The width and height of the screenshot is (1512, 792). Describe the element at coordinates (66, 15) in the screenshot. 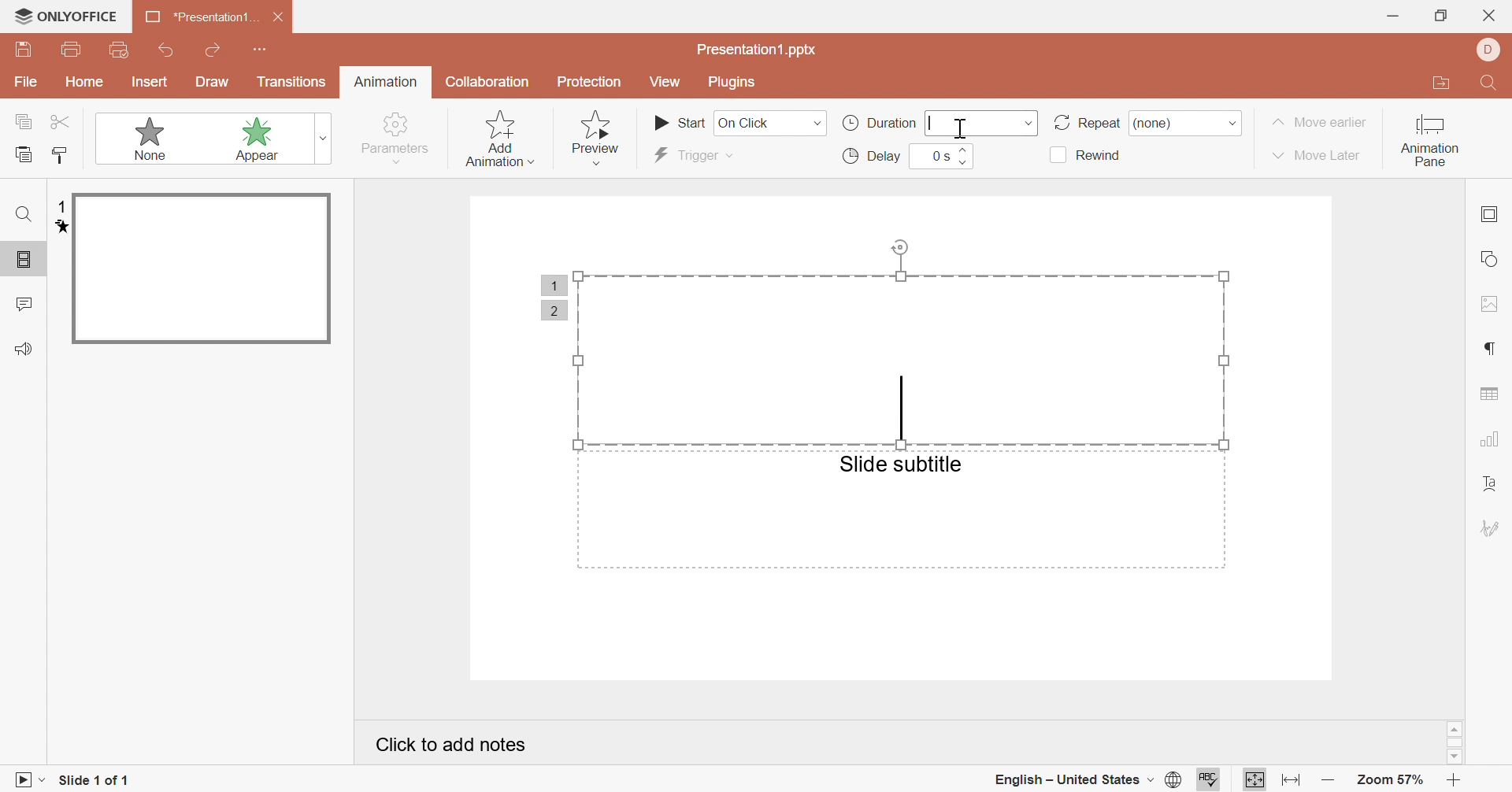

I see `ONLYOFFICE` at that location.